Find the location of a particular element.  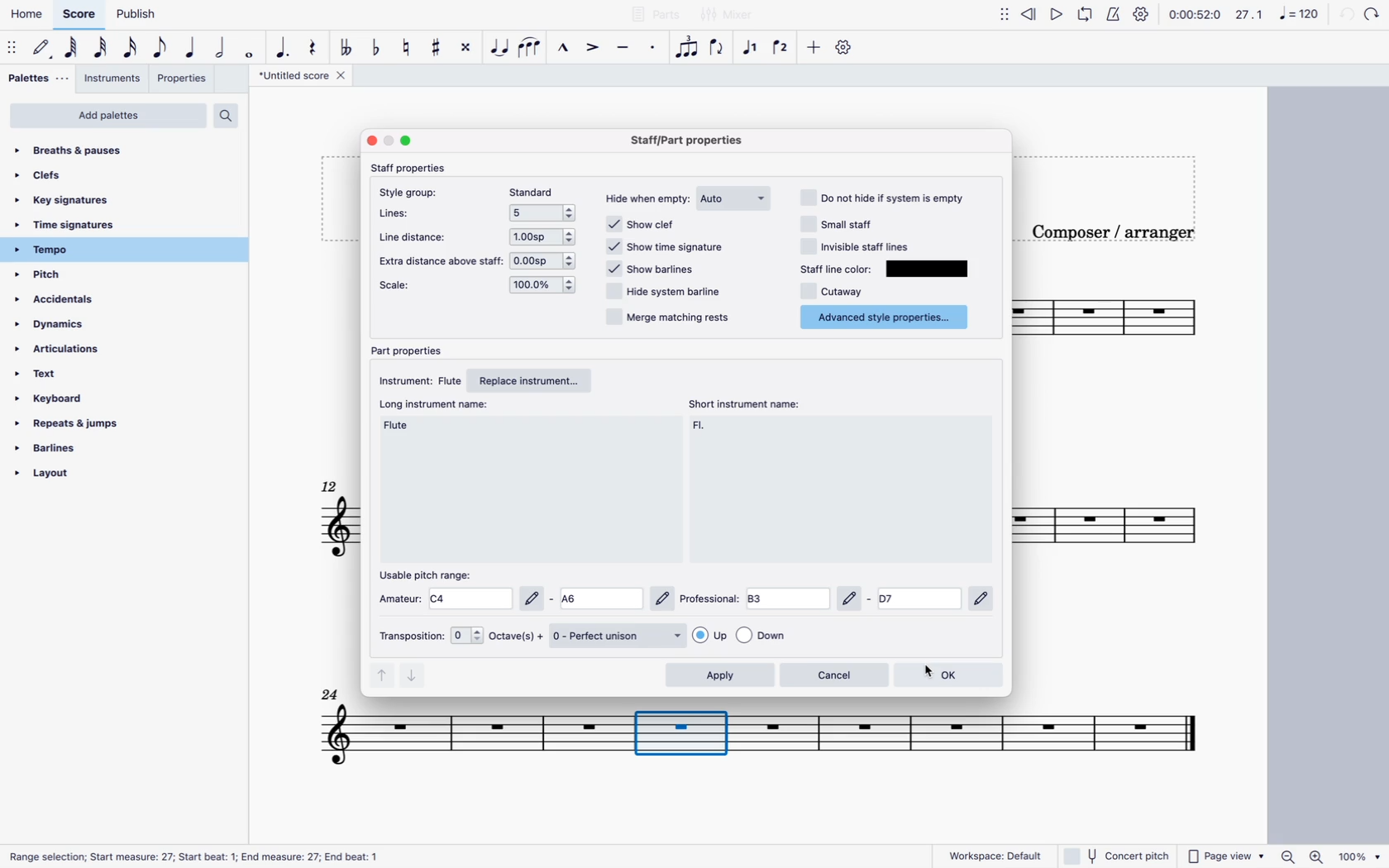

staff properties is located at coordinates (421, 169).